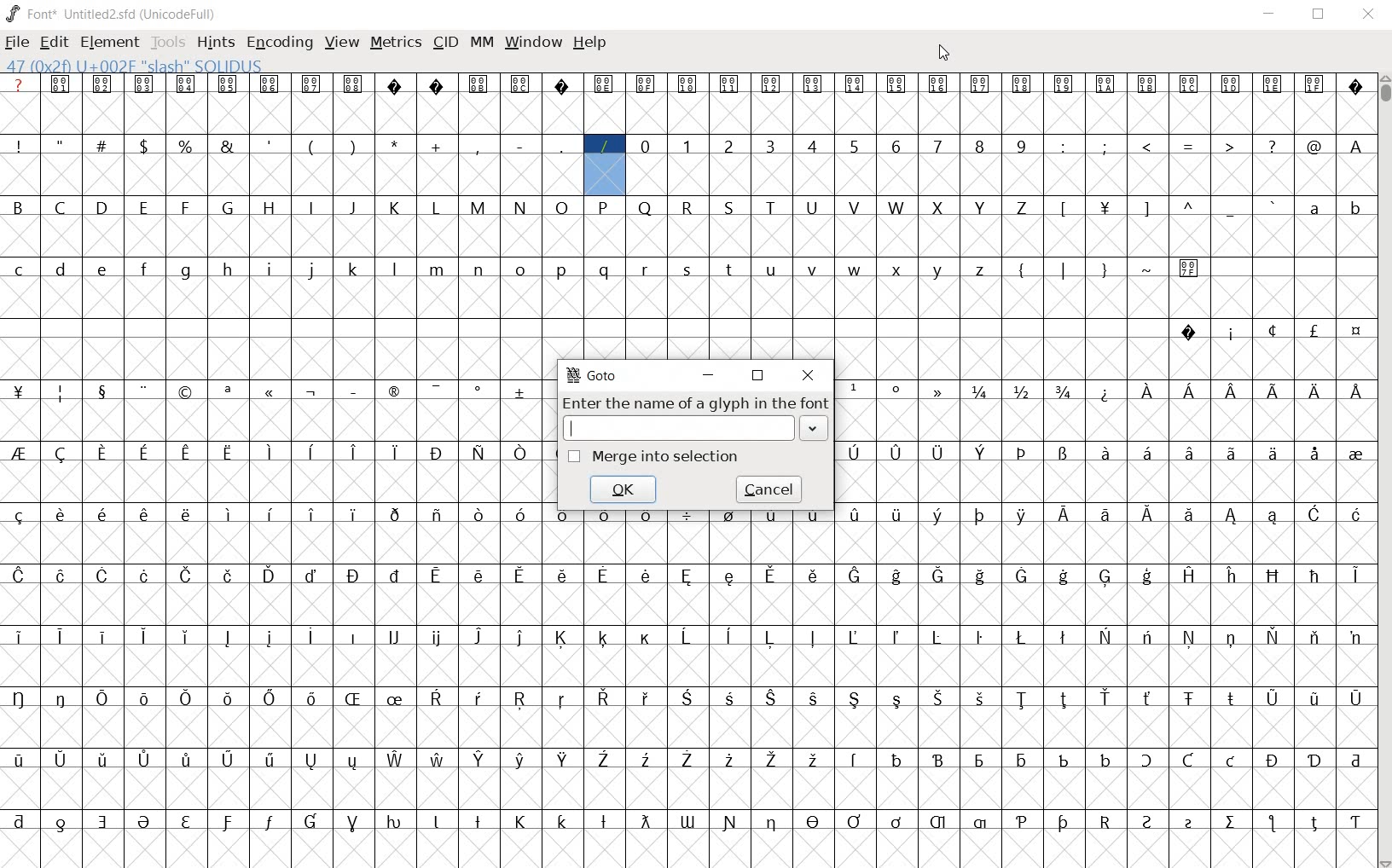 The image size is (1392, 868). What do you see at coordinates (1314, 147) in the screenshot?
I see `glyph` at bounding box center [1314, 147].